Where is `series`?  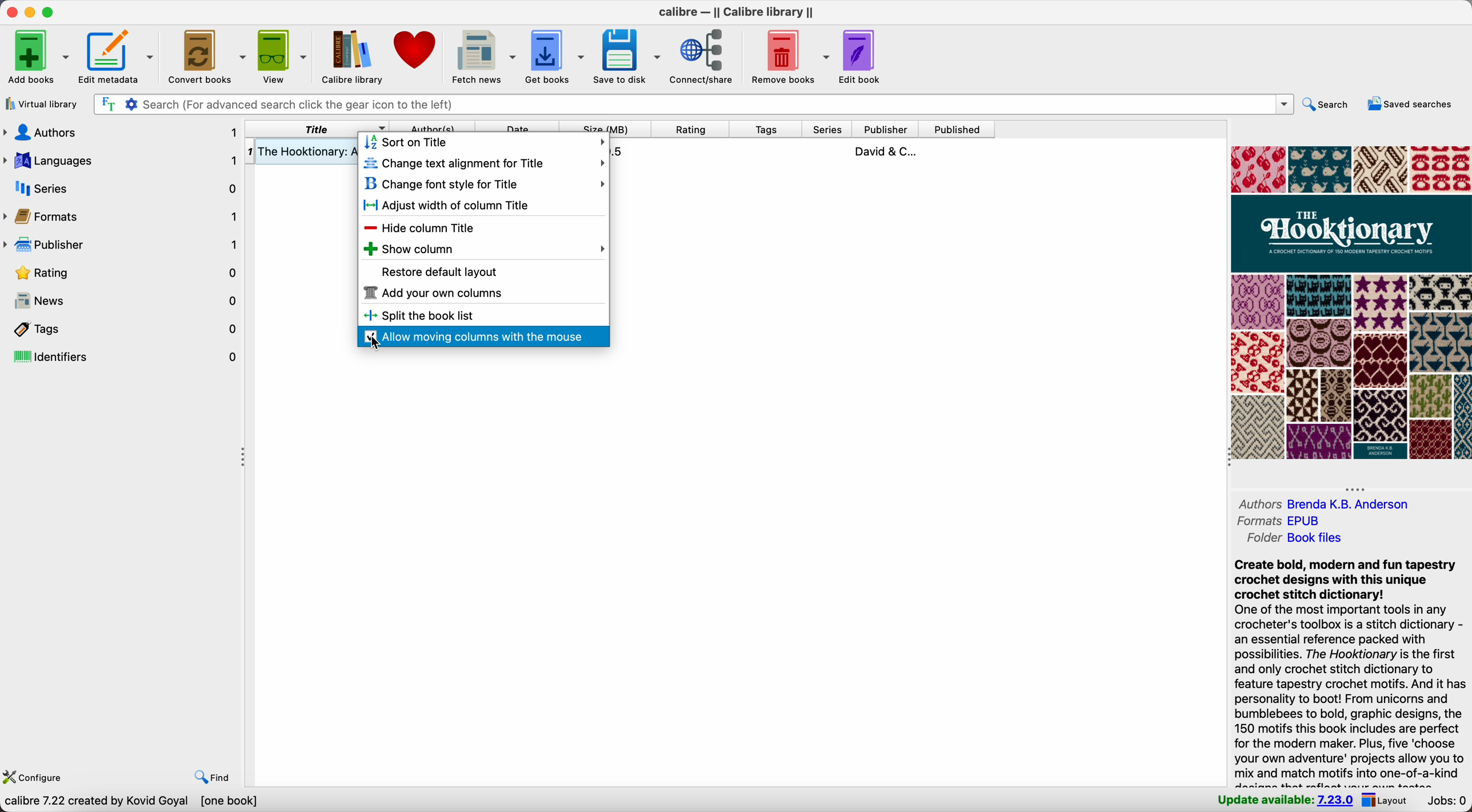
series is located at coordinates (825, 129).